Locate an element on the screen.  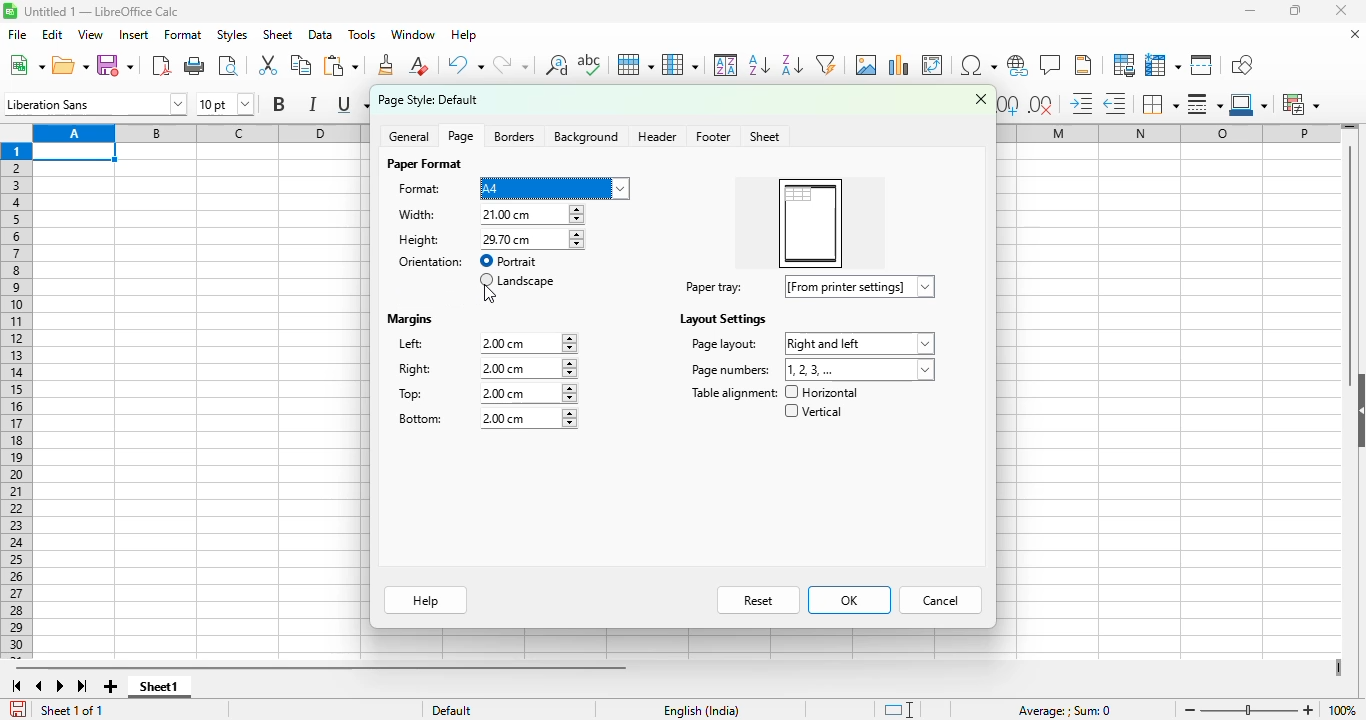
clone formatting is located at coordinates (387, 65).